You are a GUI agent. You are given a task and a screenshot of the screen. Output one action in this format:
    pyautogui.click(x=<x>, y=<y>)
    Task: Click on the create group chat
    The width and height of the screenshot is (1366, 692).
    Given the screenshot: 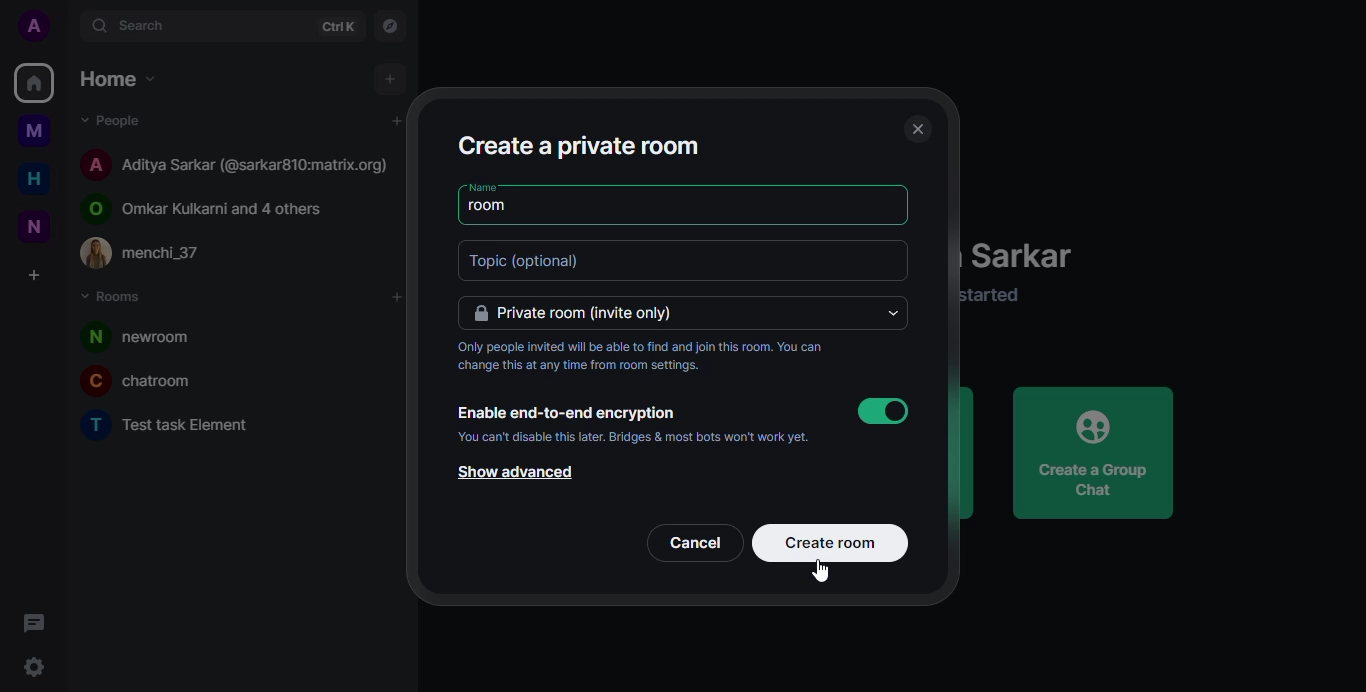 What is the action you would take?
    pyautogui.click(x=1091, y=452)
    